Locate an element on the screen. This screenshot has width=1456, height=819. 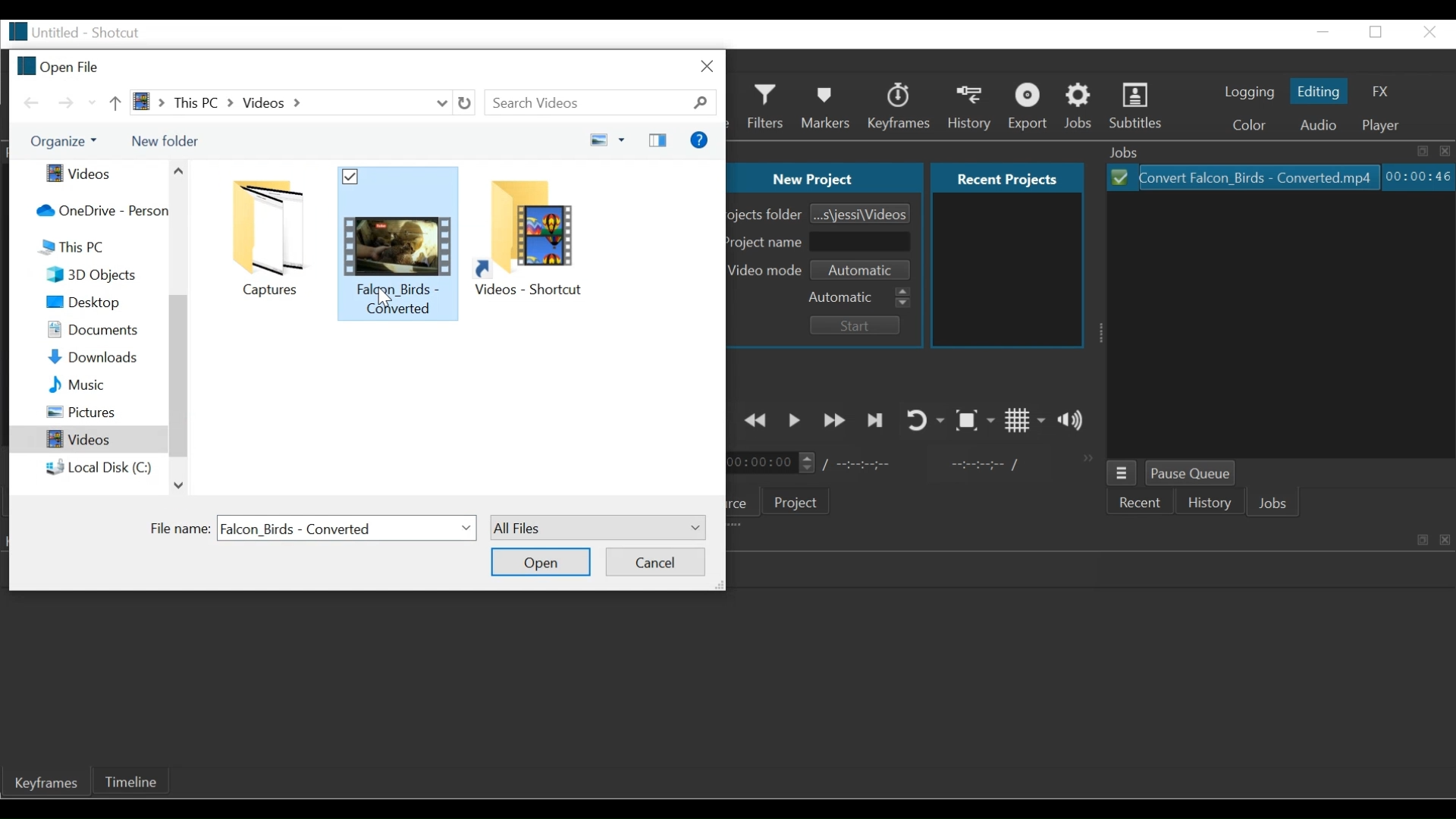
Toggle player looping is located at coordinates (924, 419).